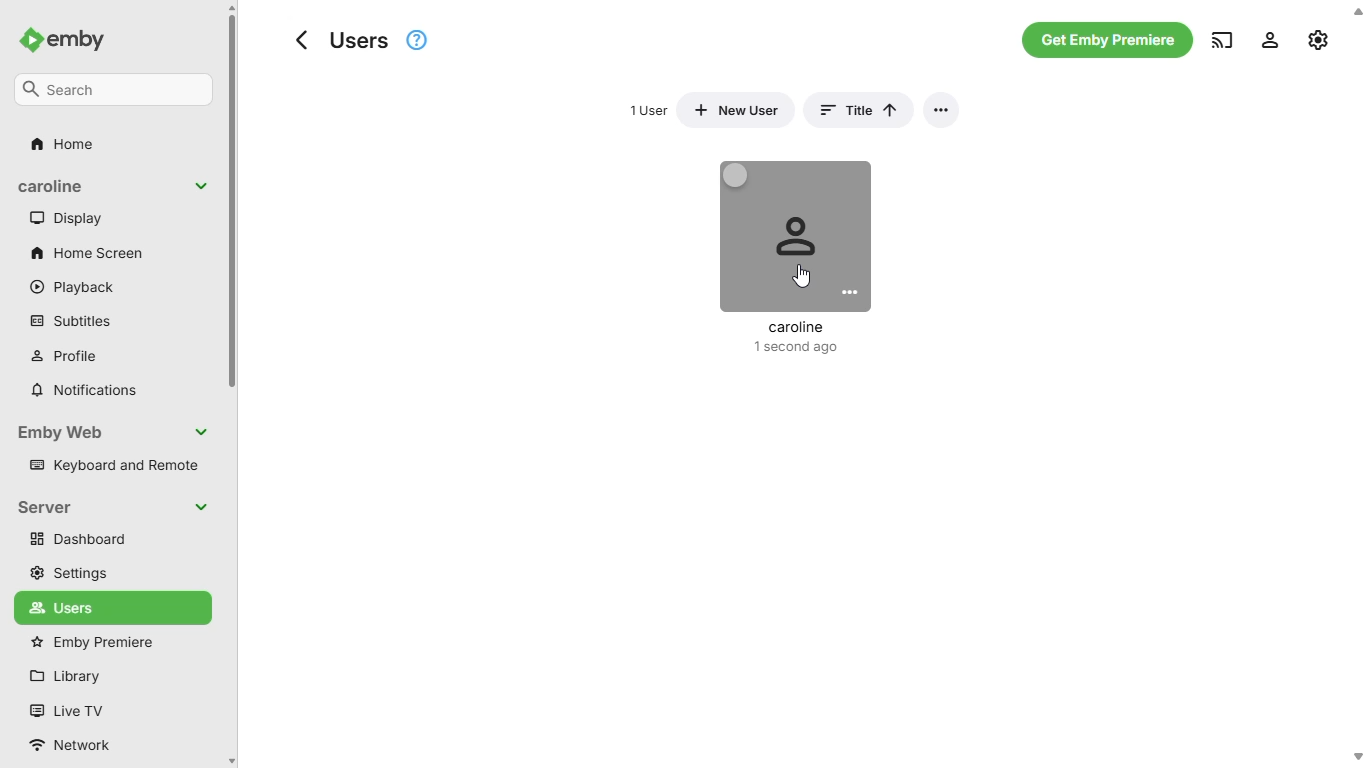 Image resolution: width=1366 pixels, height=768 pixels. I want to click on server, so click(115, 508).